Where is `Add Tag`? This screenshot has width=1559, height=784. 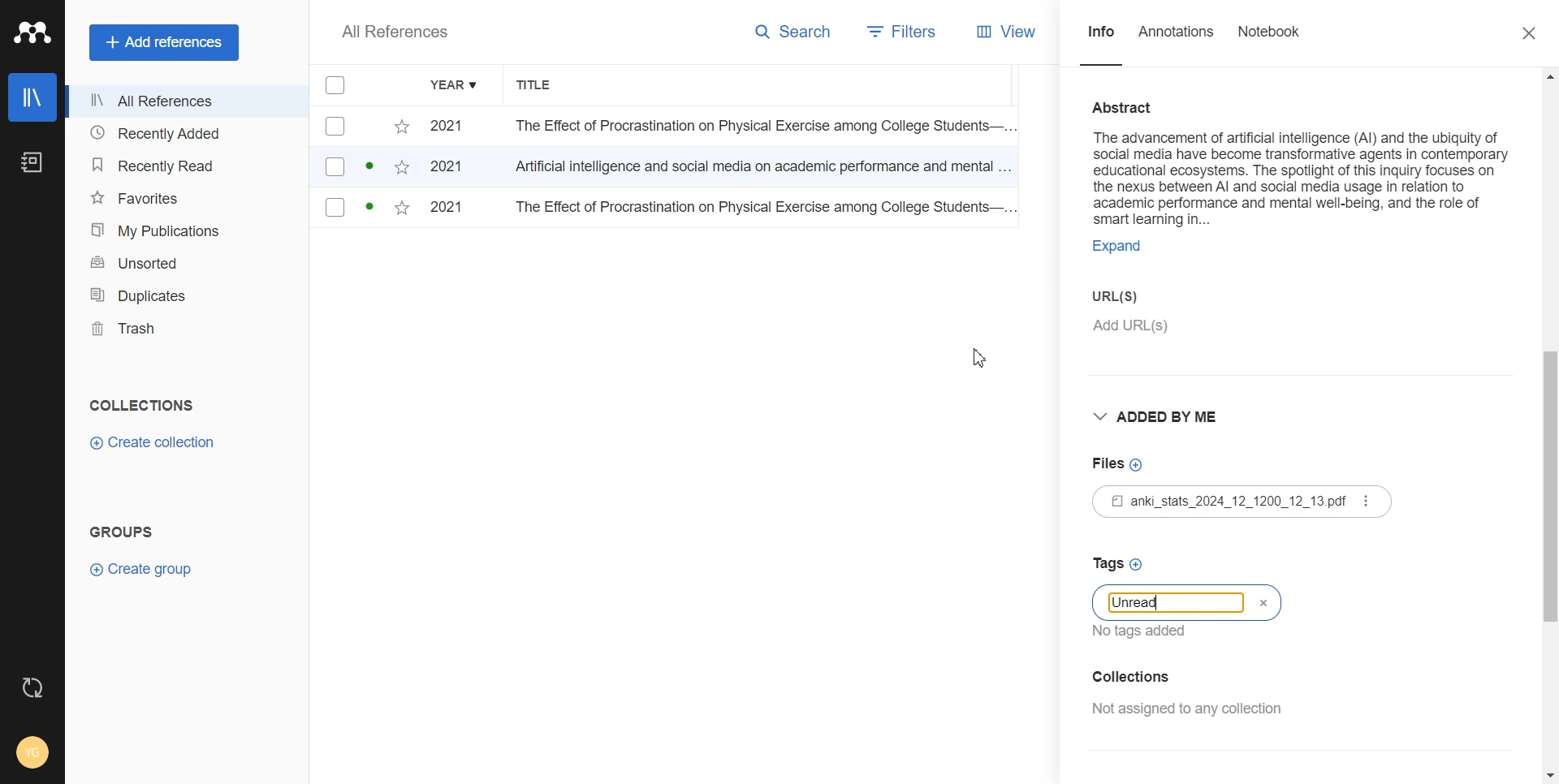 Add Tag is located at coordinates (1170, 564).